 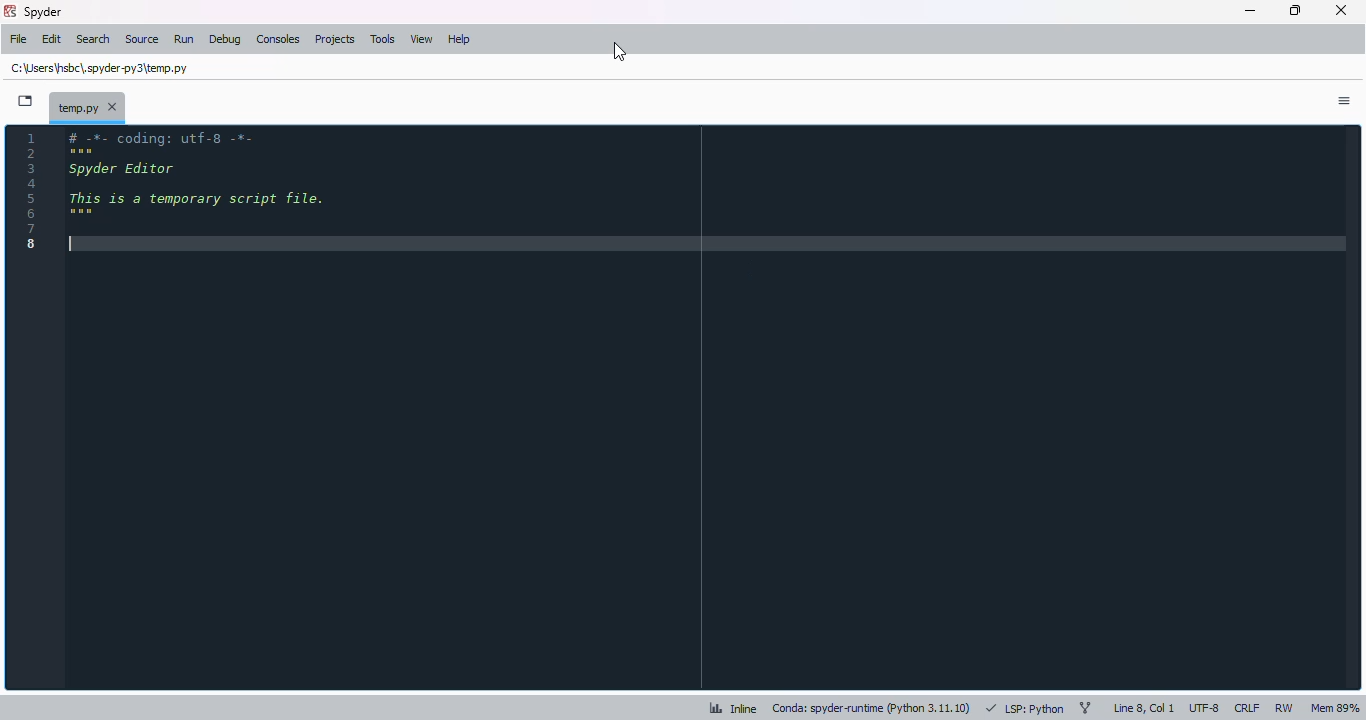 I want to click on minimize, so click(x=1250, y=11).